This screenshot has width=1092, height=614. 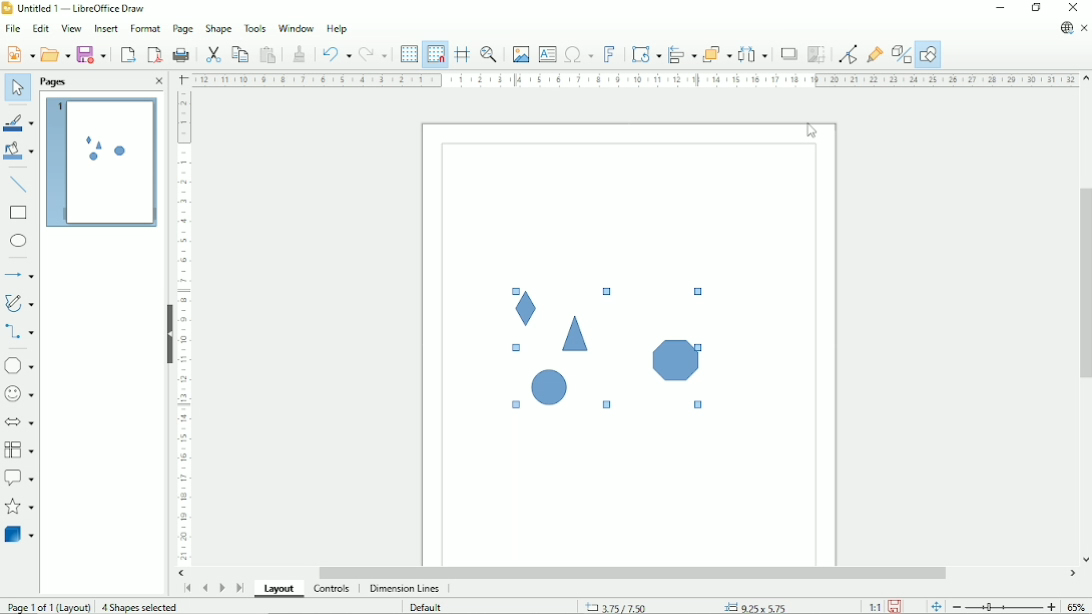 What do you see at coordinates (1084, 286) in the screenshot?
I see `Vertical scrollbar` at bounding box center [1084, 286].